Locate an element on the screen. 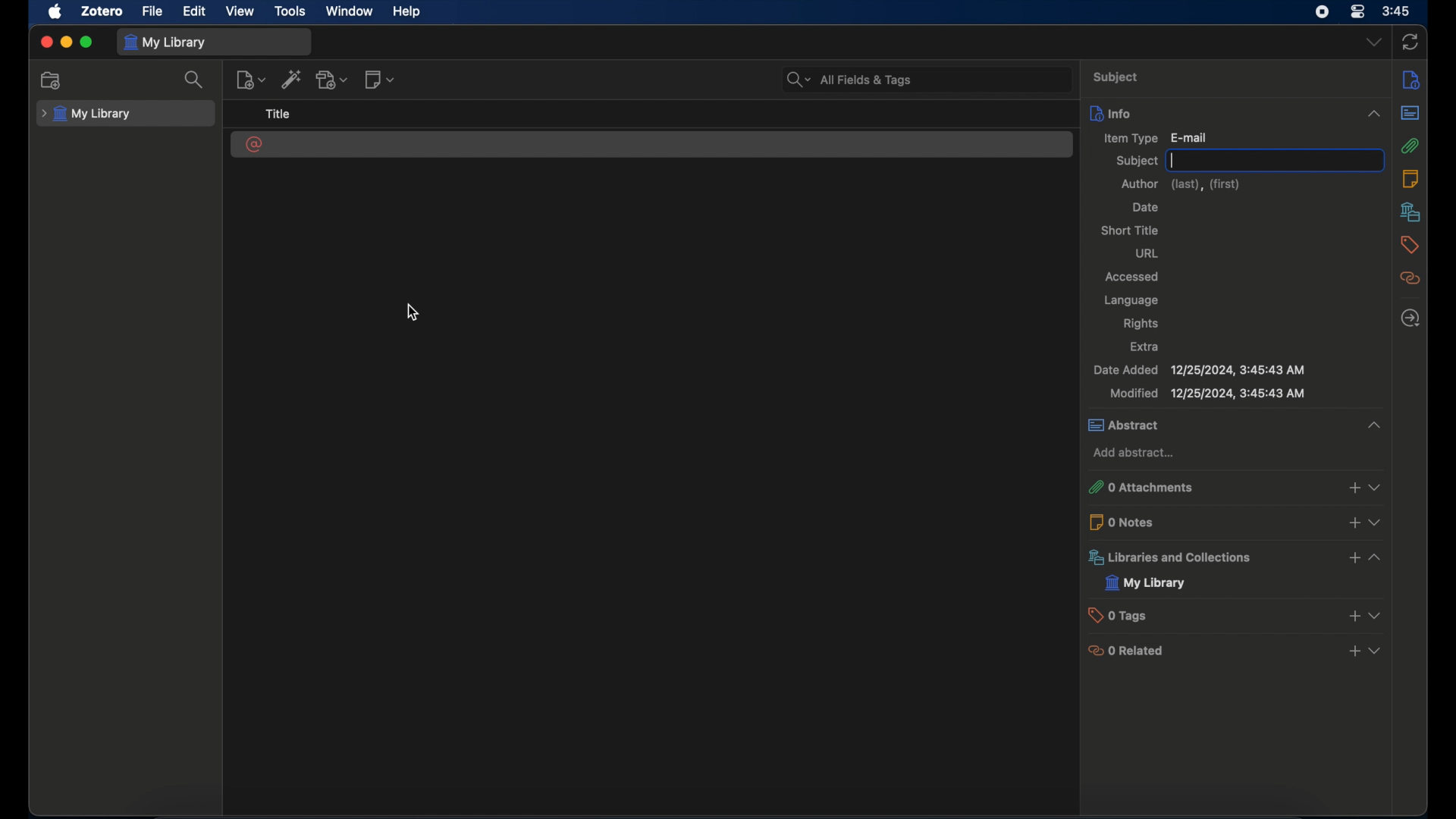  author is located at coordinates (1182, 184).